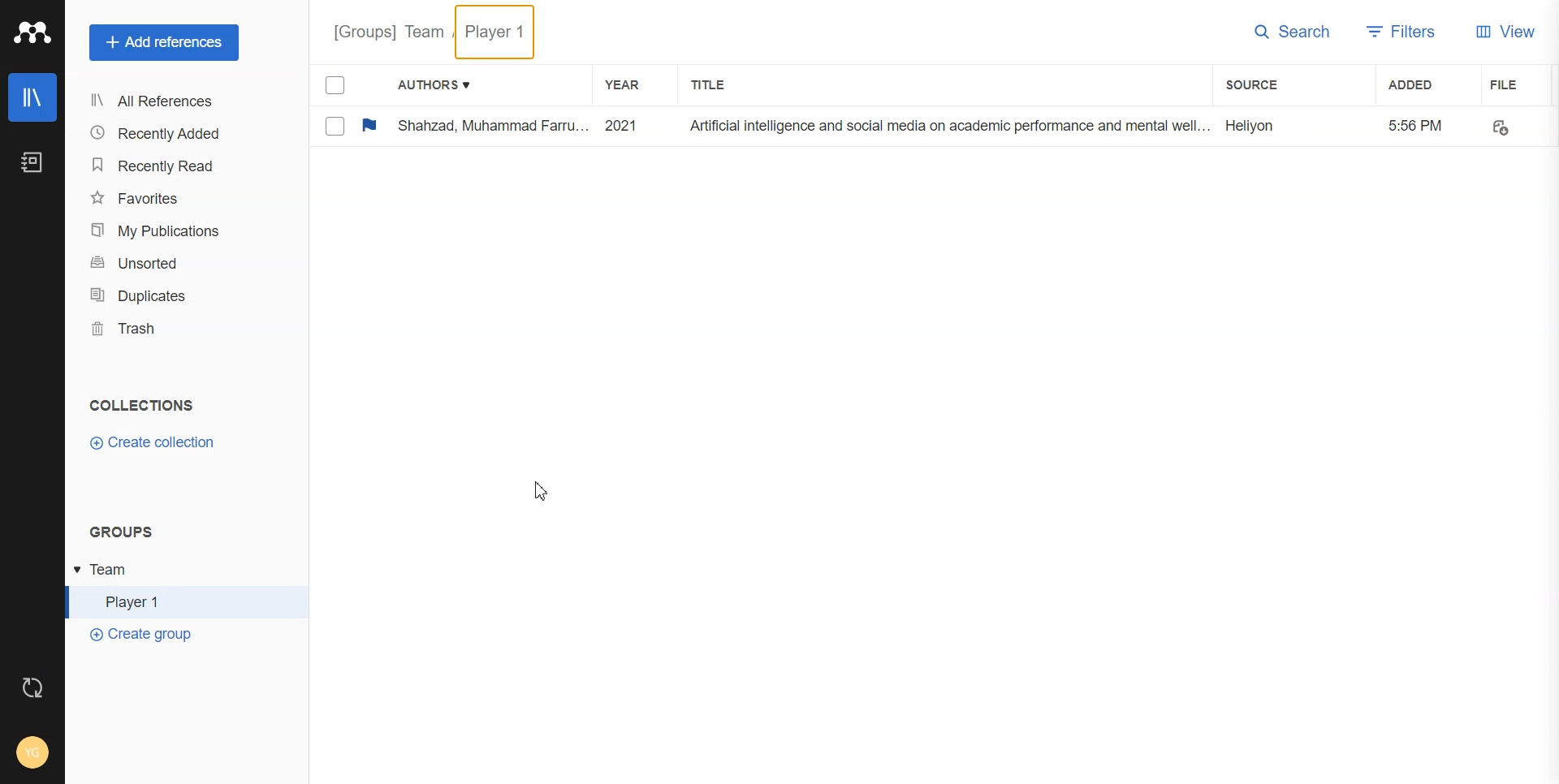 The width and height of the screenshot is (1559, 784). Describe the element at coordinates (1518, 84) in the screenshot. I see `File` at that location.